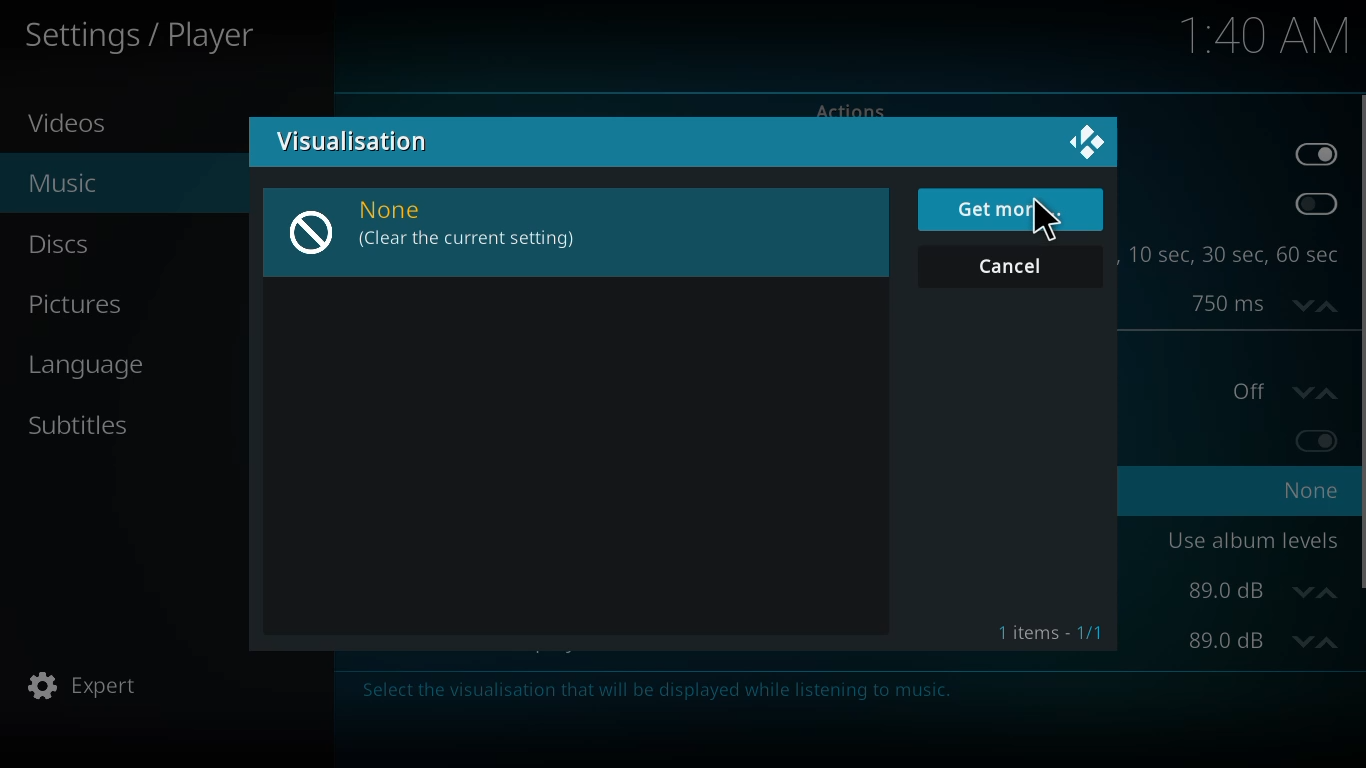 Image resolution: width=1366 pixels, height=768 pixels. Describe the element at coordinates (79, 306) in the screenshot. I see `pictures` at that location.